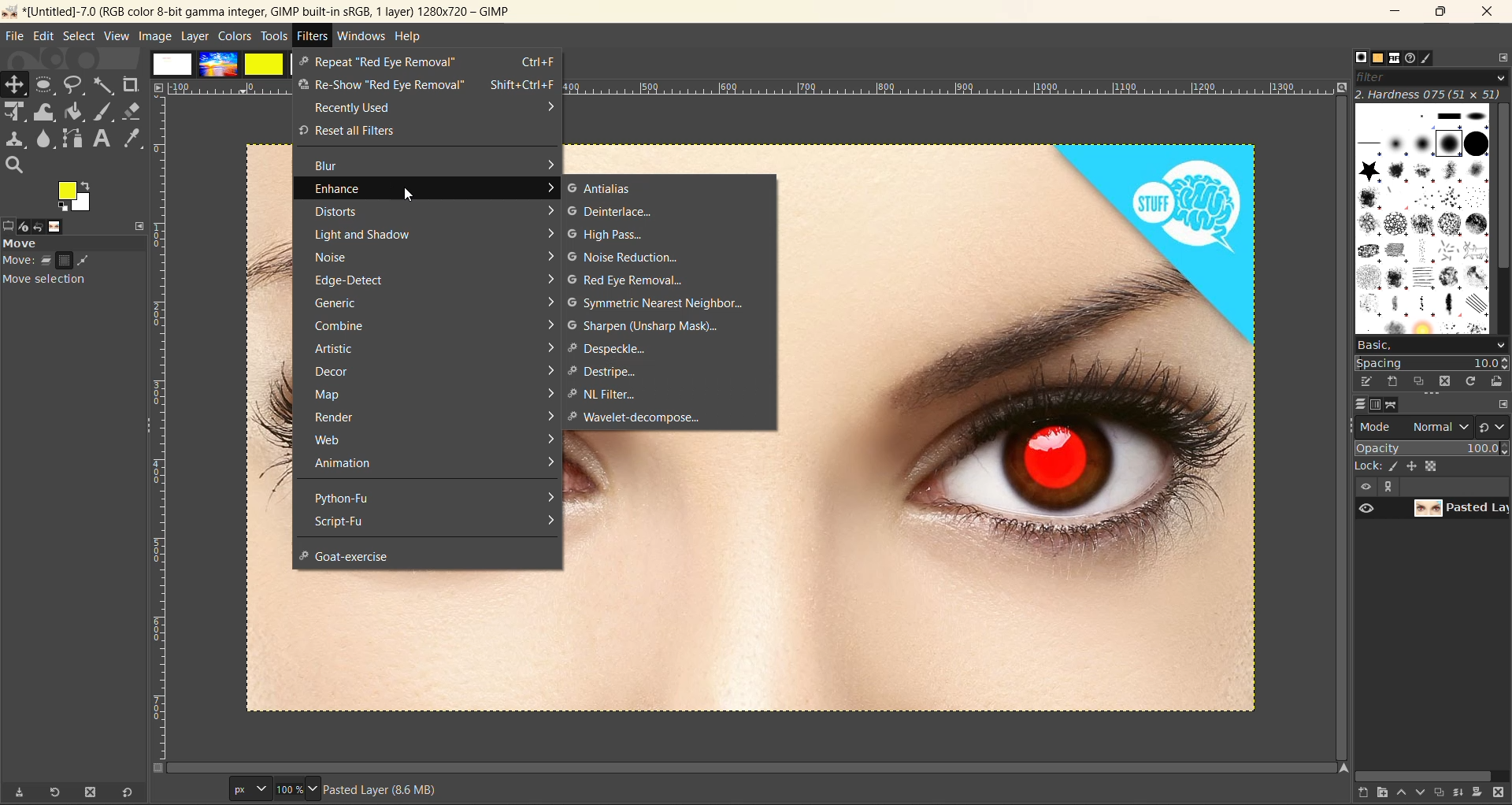 The image size is (1512, 805). I want to click on artistic, so click(431, 350).